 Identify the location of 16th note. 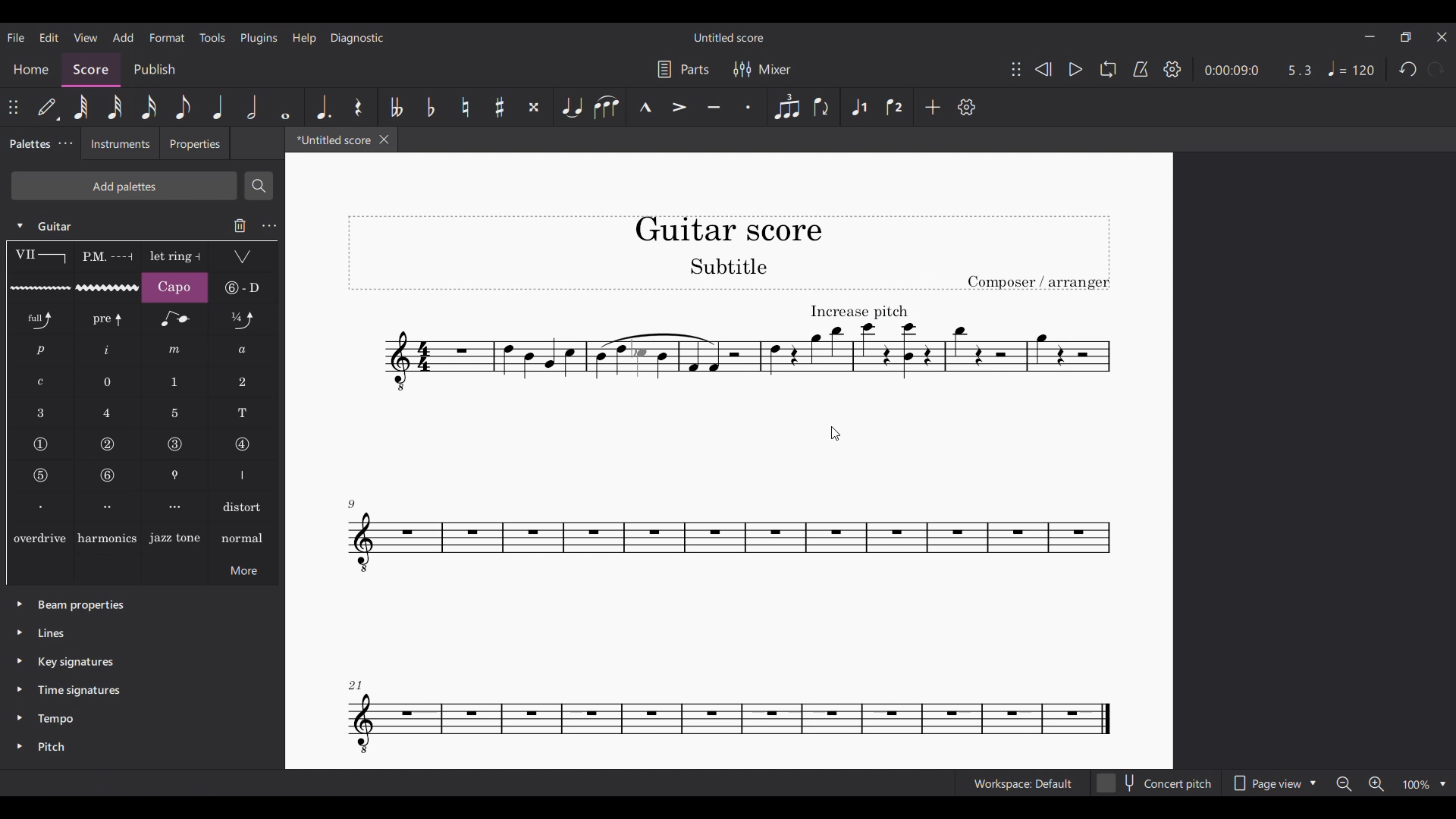
(149, 107).